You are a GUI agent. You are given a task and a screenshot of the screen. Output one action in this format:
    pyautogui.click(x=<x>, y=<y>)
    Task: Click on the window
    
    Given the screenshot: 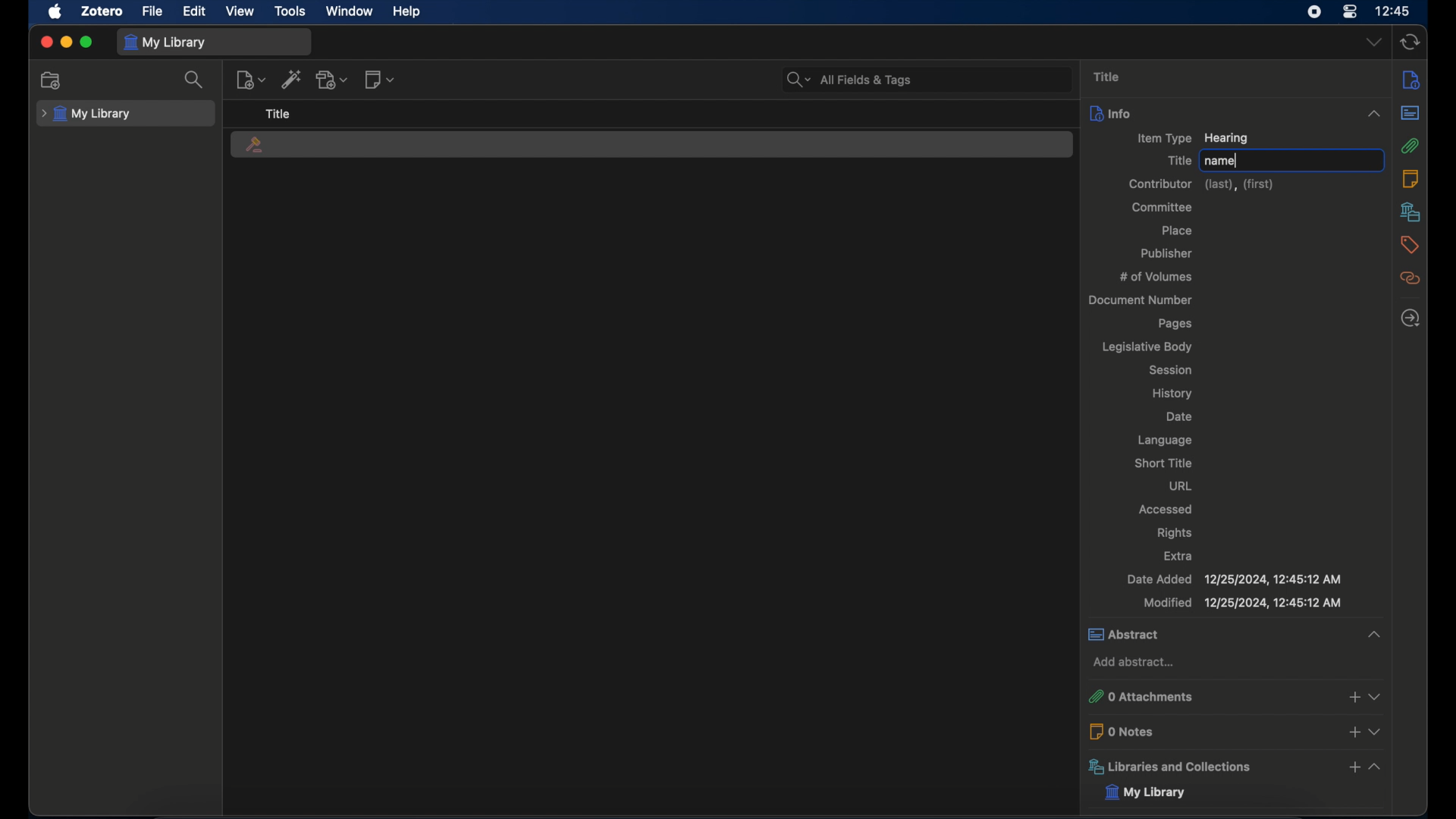 What is the action you would take?
    pyautogui.click(x=350, y=11)
    